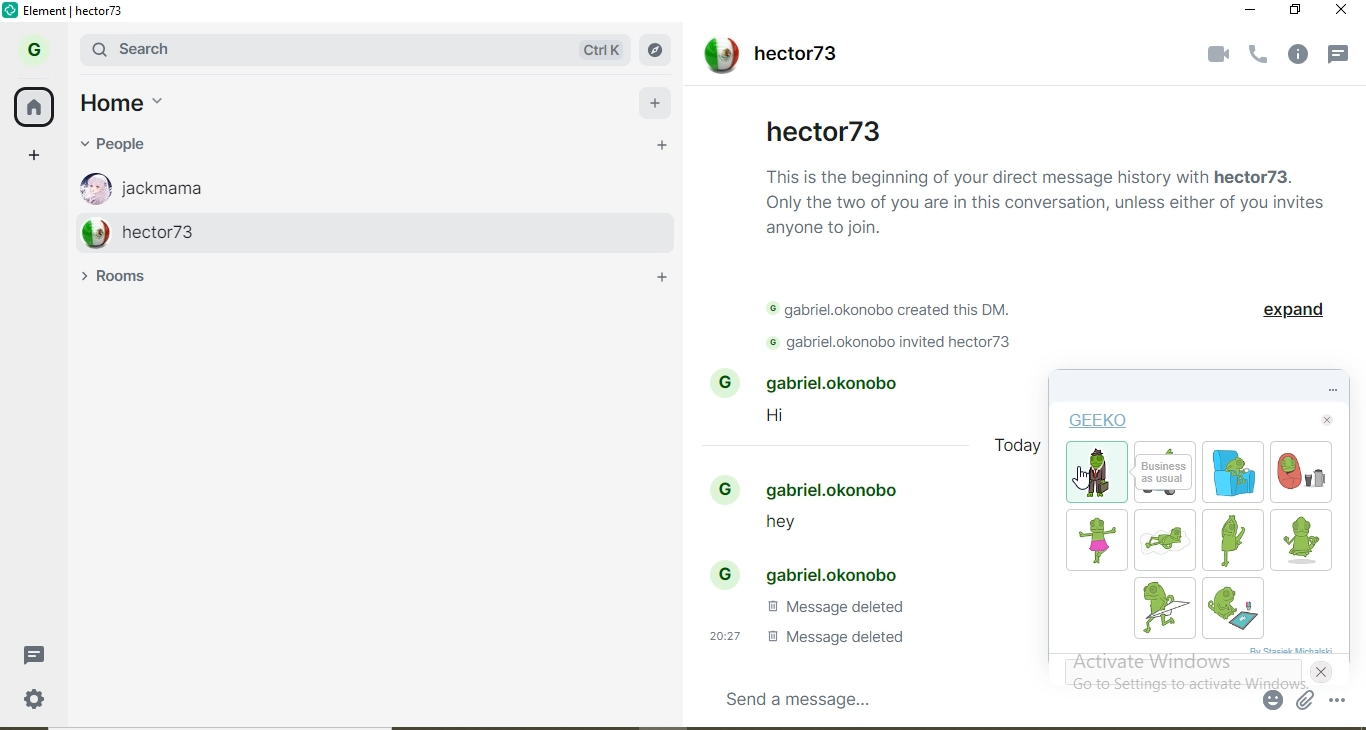 The width and height of the screenshot is (1366, 730). I want to click on people, so click(131, 144).